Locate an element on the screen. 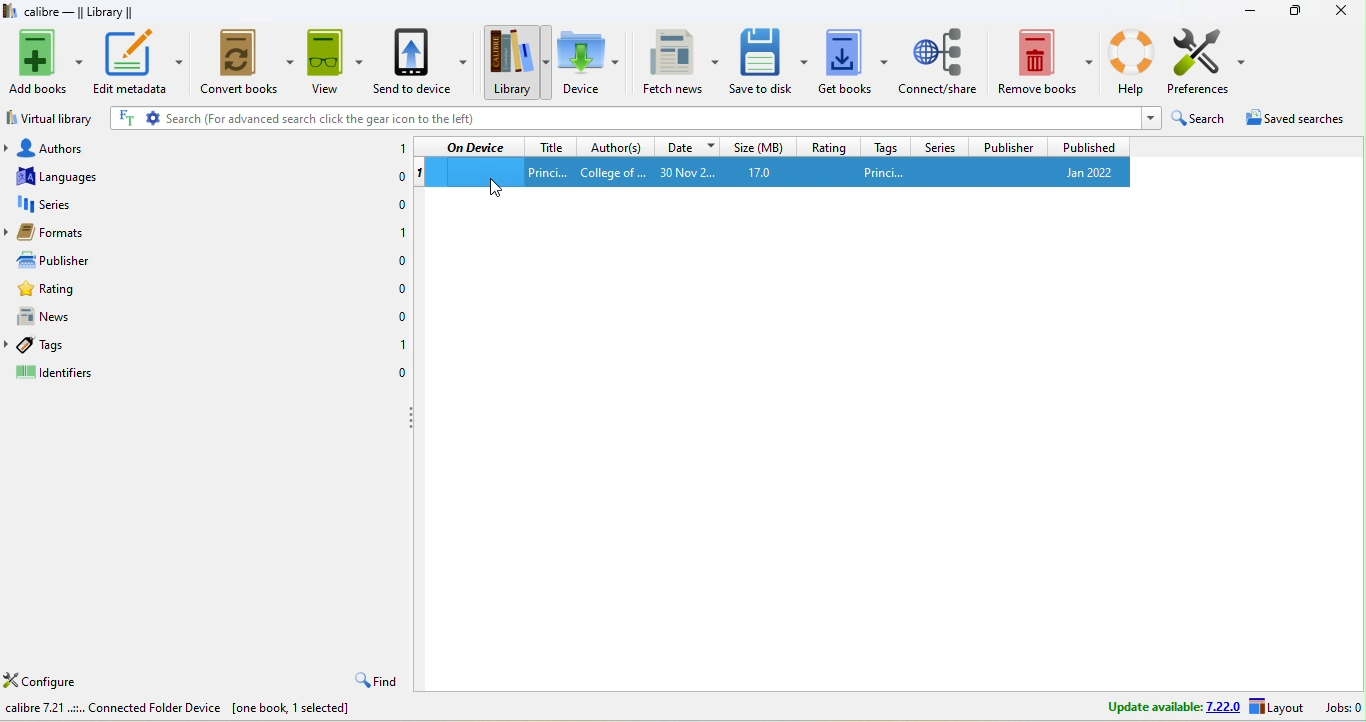 This screenshot has width=1366, height=722. edit metadata is located at coordinates (140, 61).